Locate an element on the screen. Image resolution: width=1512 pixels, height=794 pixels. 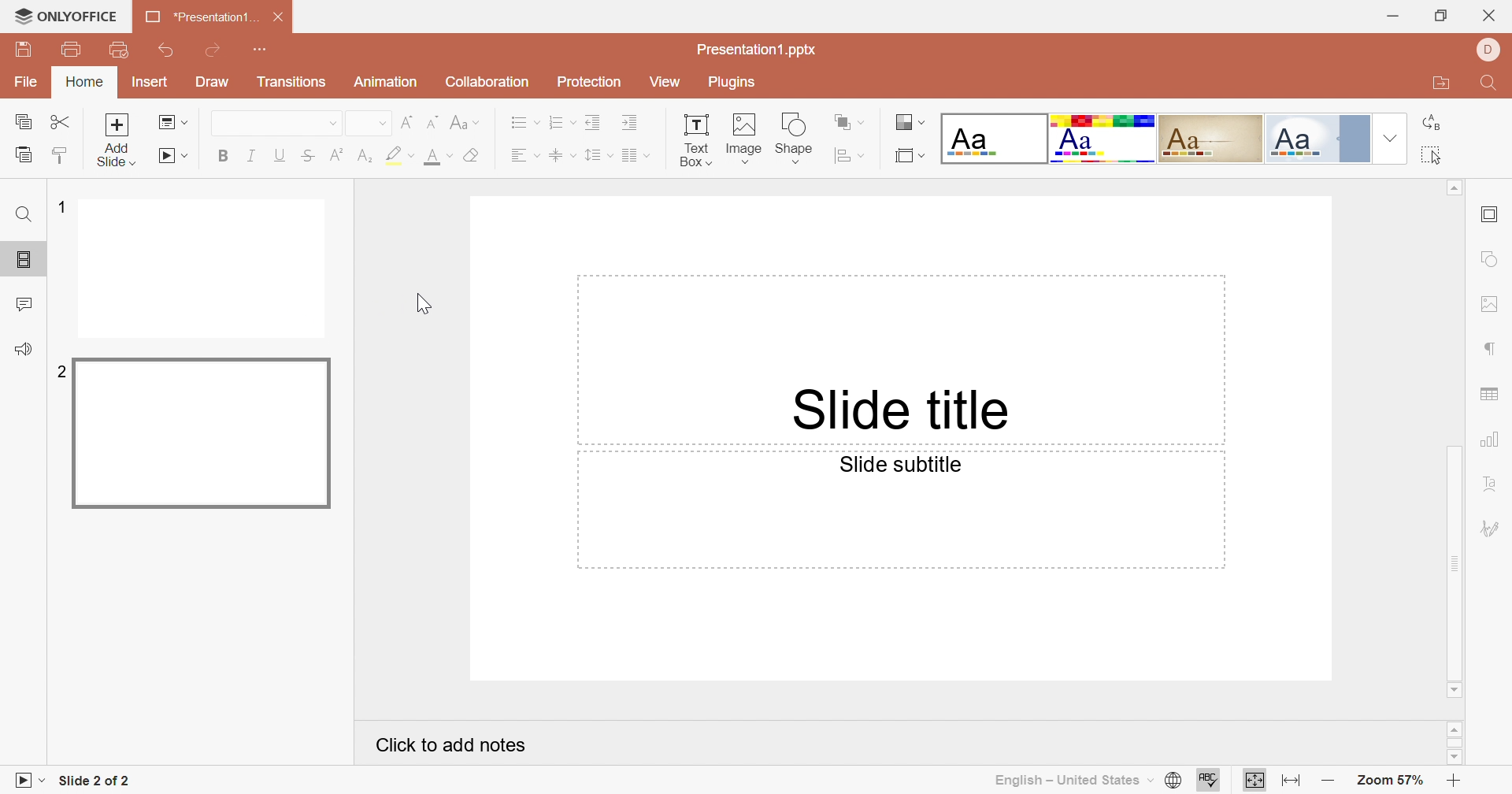
Numbering is located at coordinates (555, 121).